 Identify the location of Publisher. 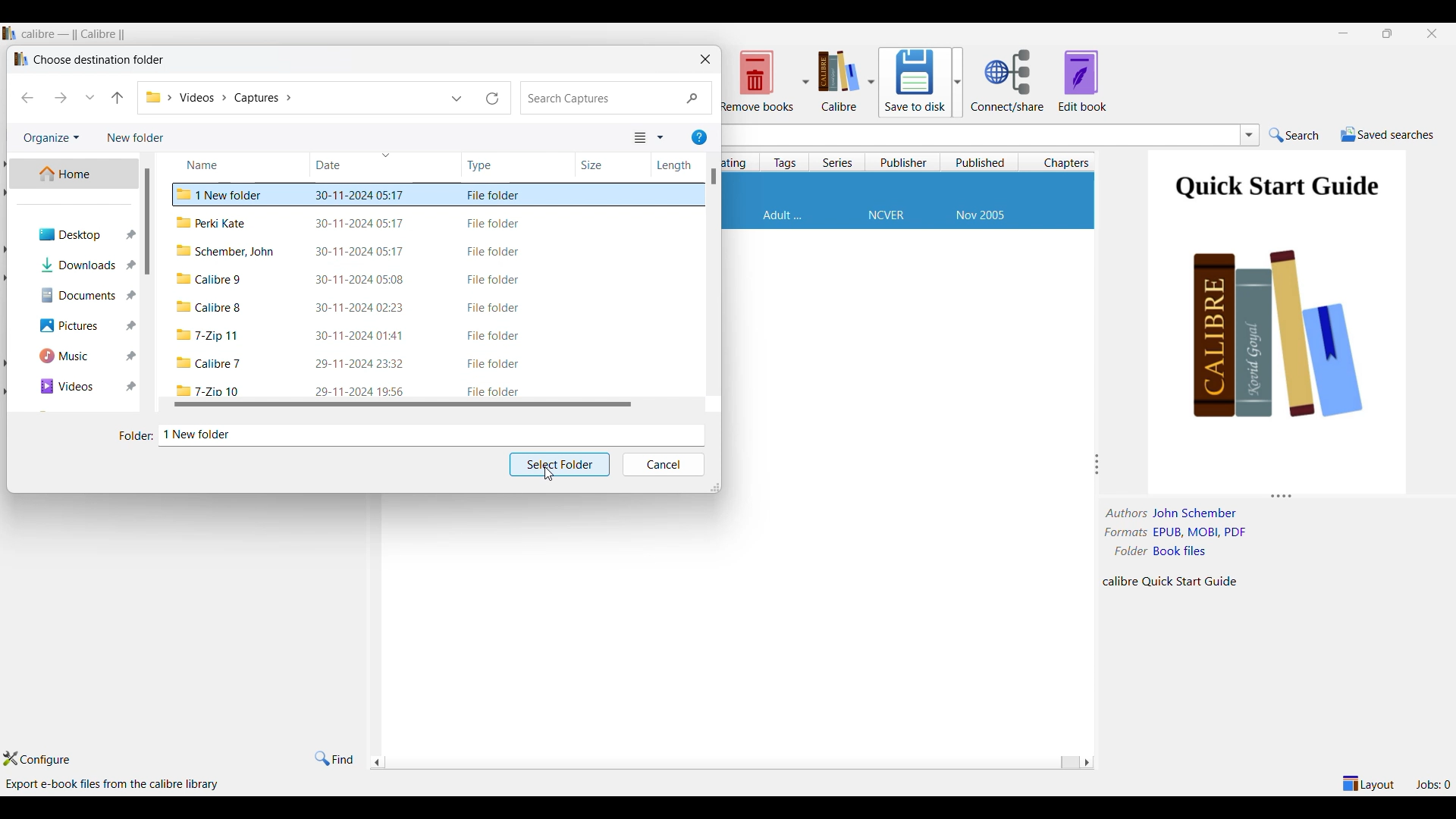
(886, 216).